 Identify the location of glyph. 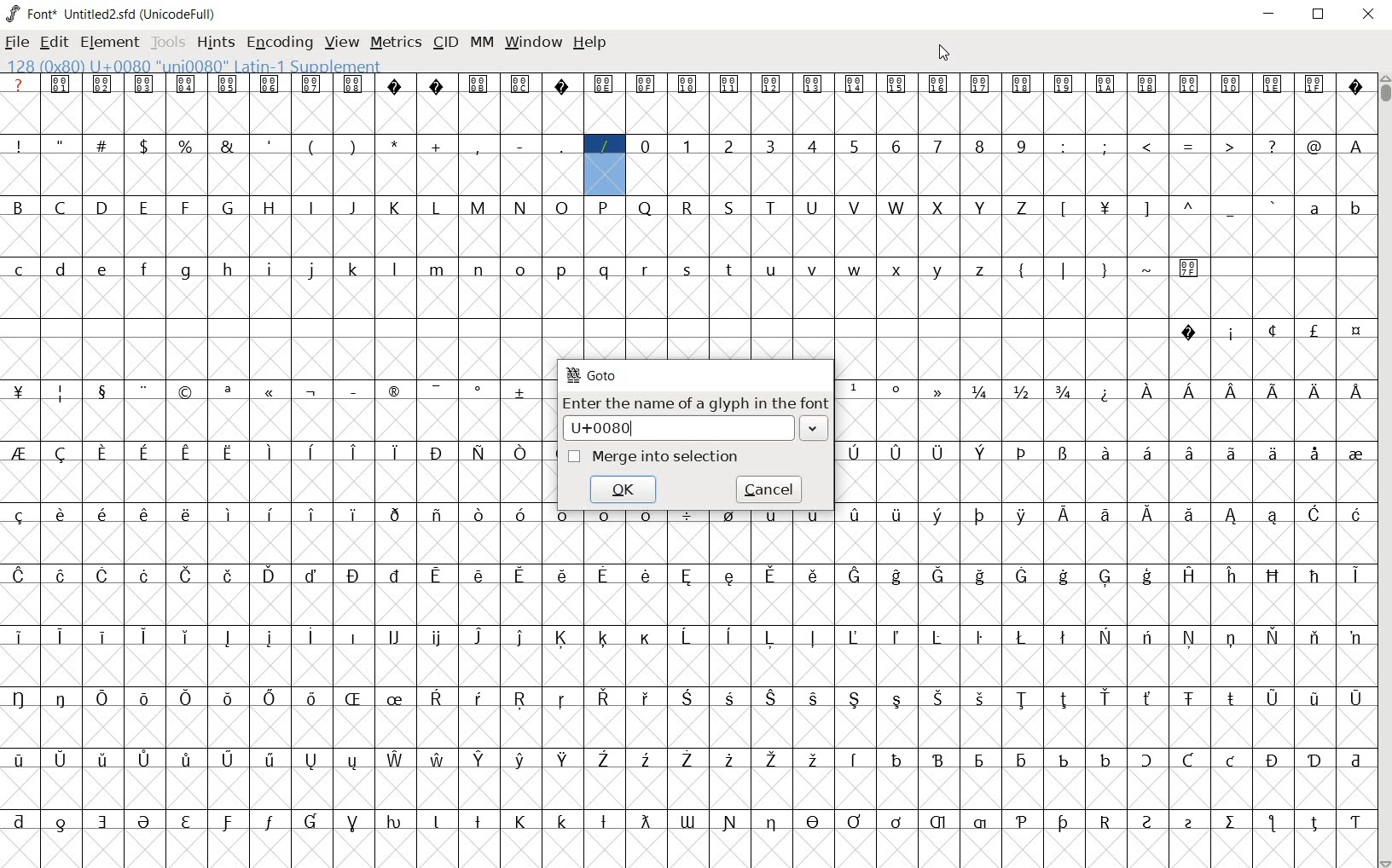
(770, 207).